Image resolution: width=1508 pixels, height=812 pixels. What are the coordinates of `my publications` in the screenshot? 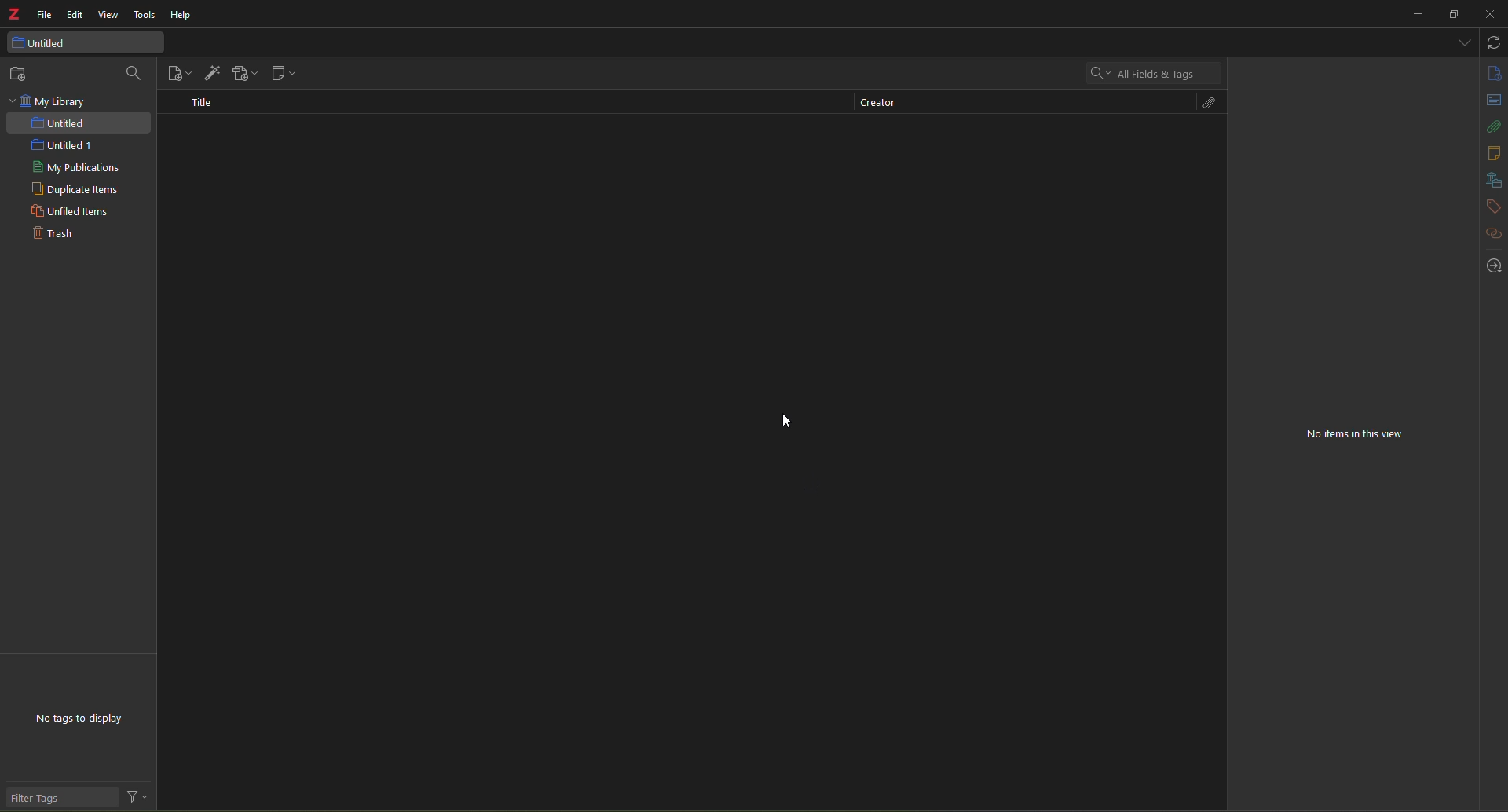 It's located at (77, 168).